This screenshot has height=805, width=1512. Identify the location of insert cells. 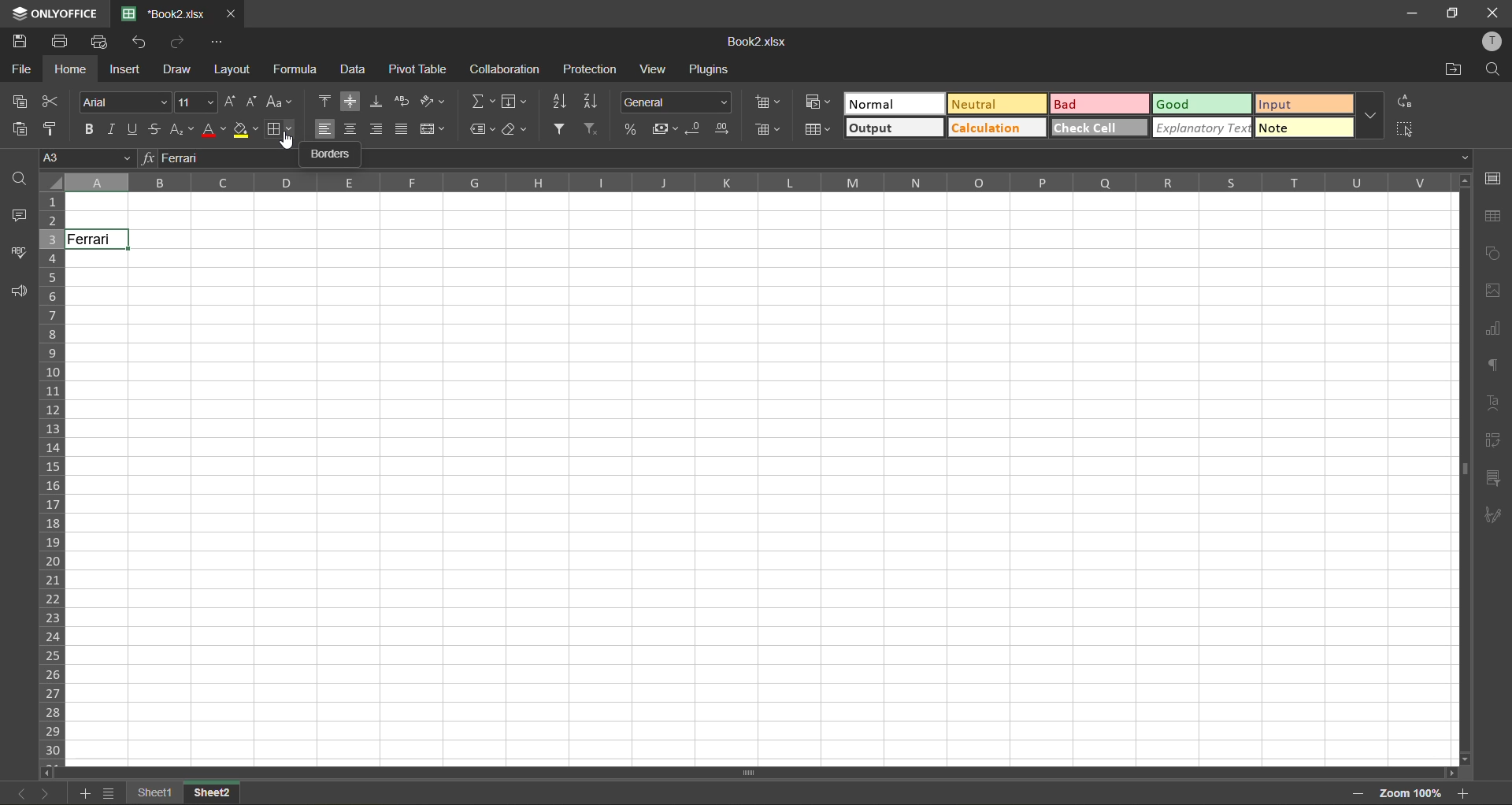
(770, 105).